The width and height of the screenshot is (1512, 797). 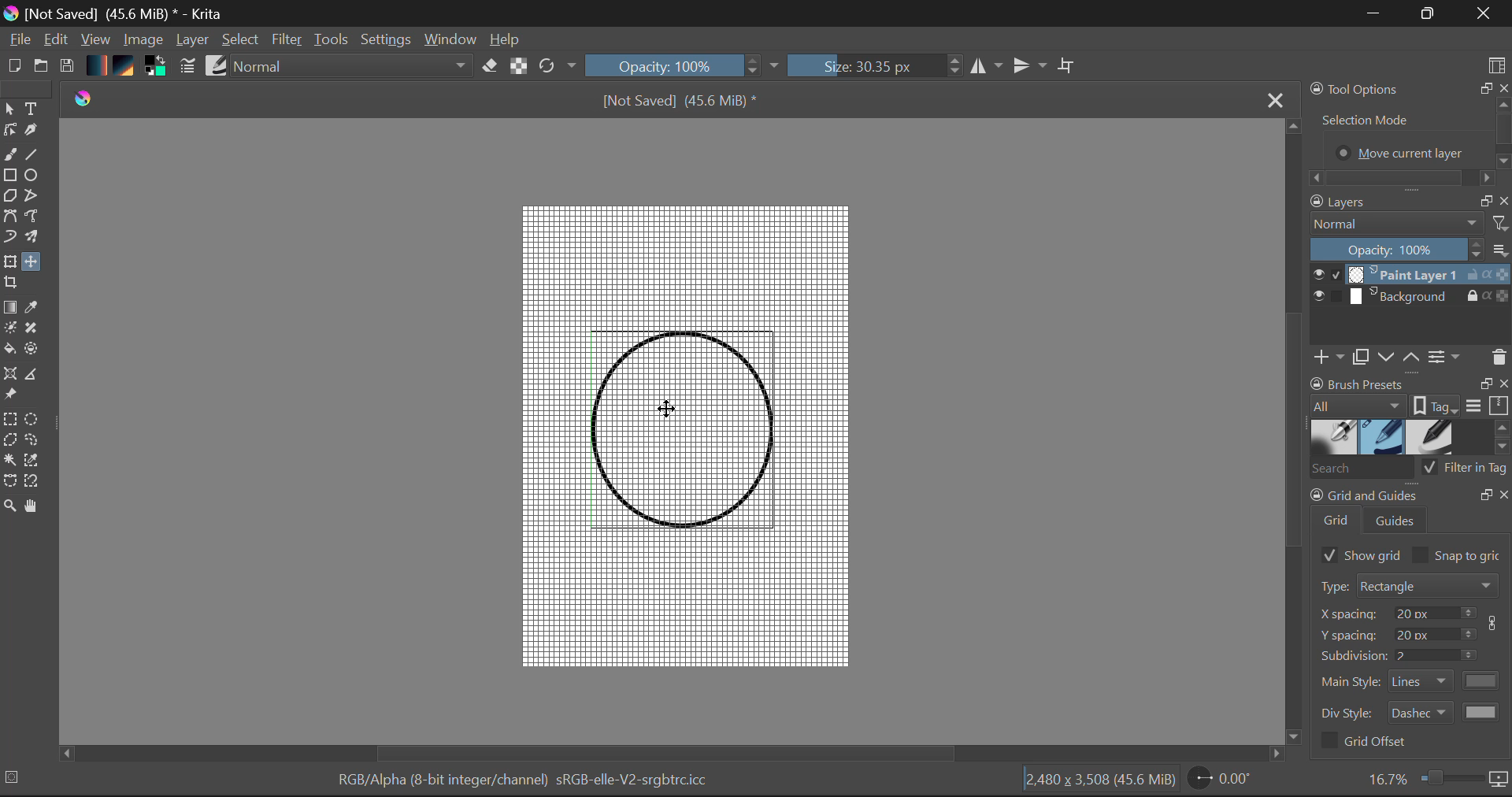 What do you see at coordinates (531, 783) in the screenshot?
I see `Color Information` at bounding box center [531, 783].